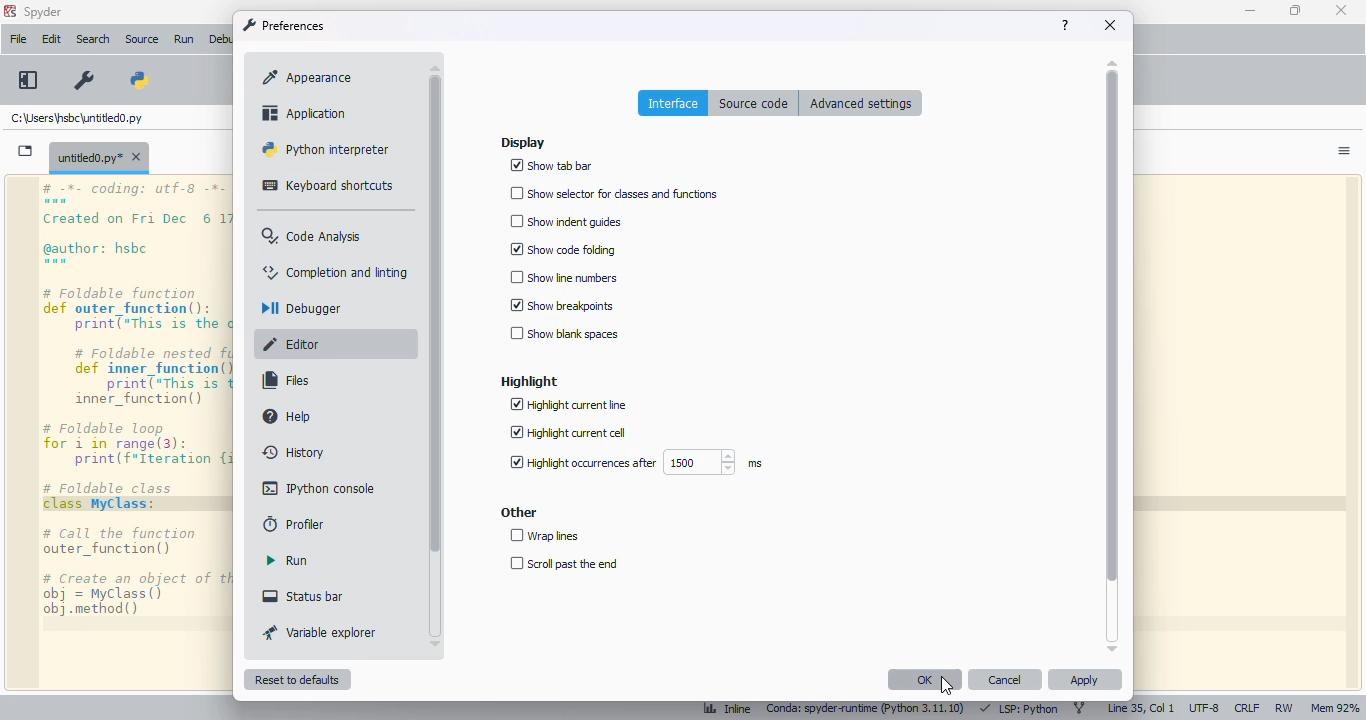 This screenshot has width=1366, height=720. Describe the element at coordinates (1295, 10) in the screenshot. I see `maximize` at that location.